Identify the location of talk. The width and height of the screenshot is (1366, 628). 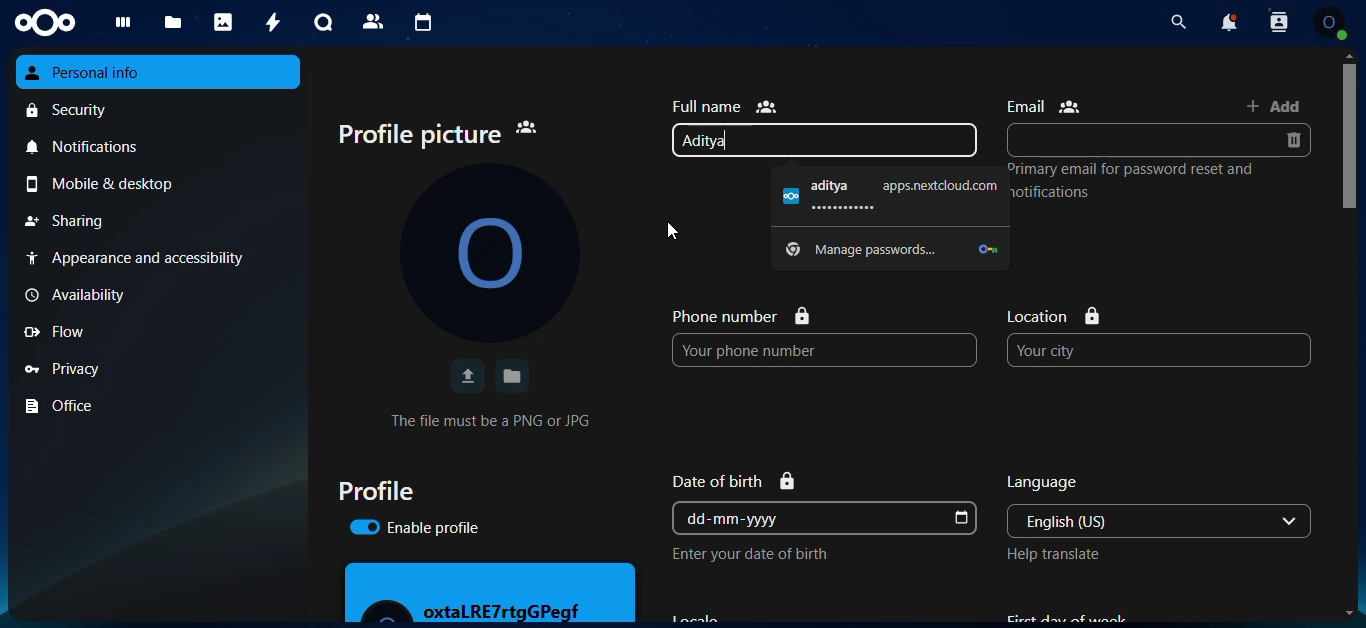
(320, 23).